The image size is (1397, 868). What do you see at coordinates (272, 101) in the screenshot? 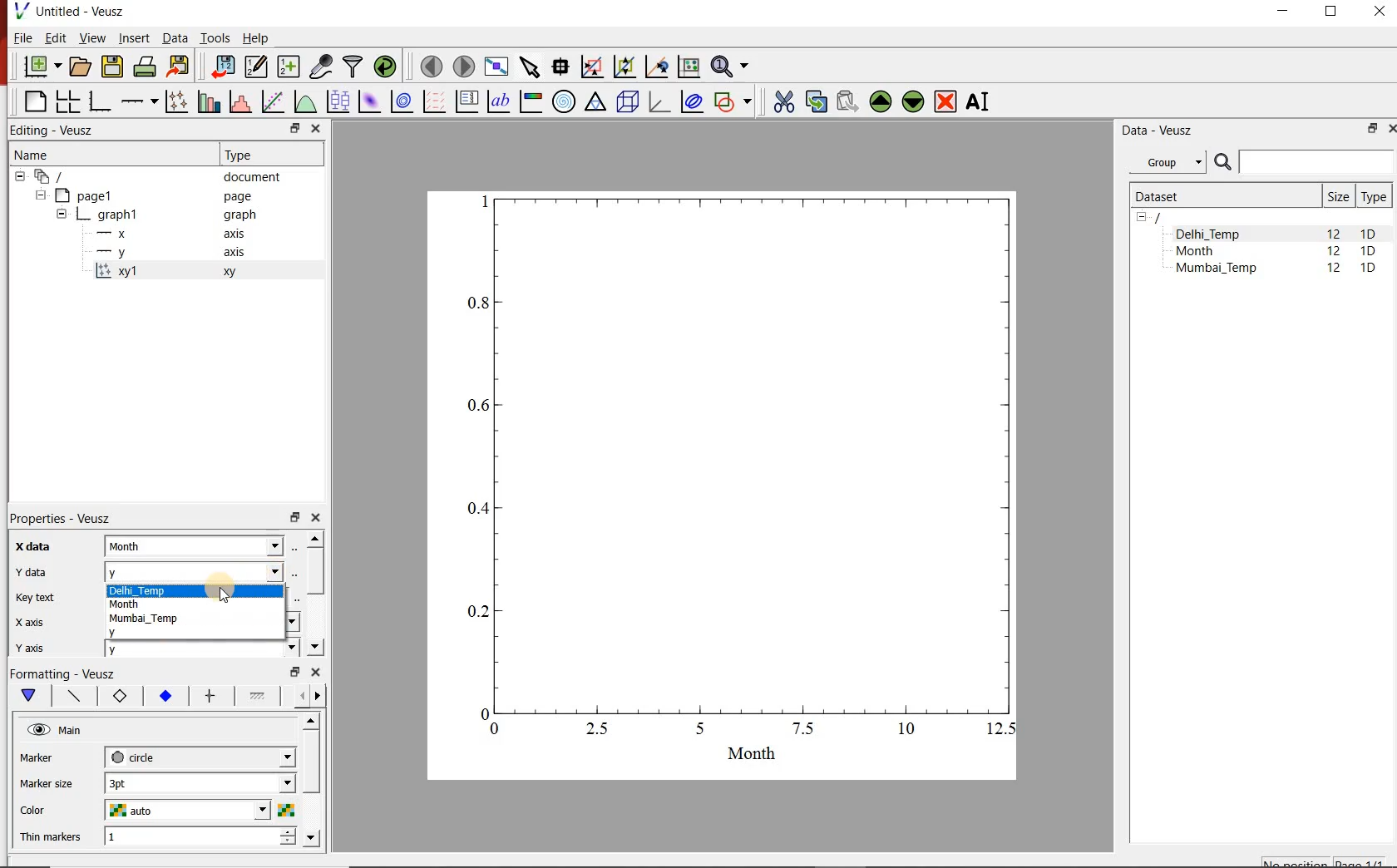
I see `fit a function to data` at bounding box center [272, 101].